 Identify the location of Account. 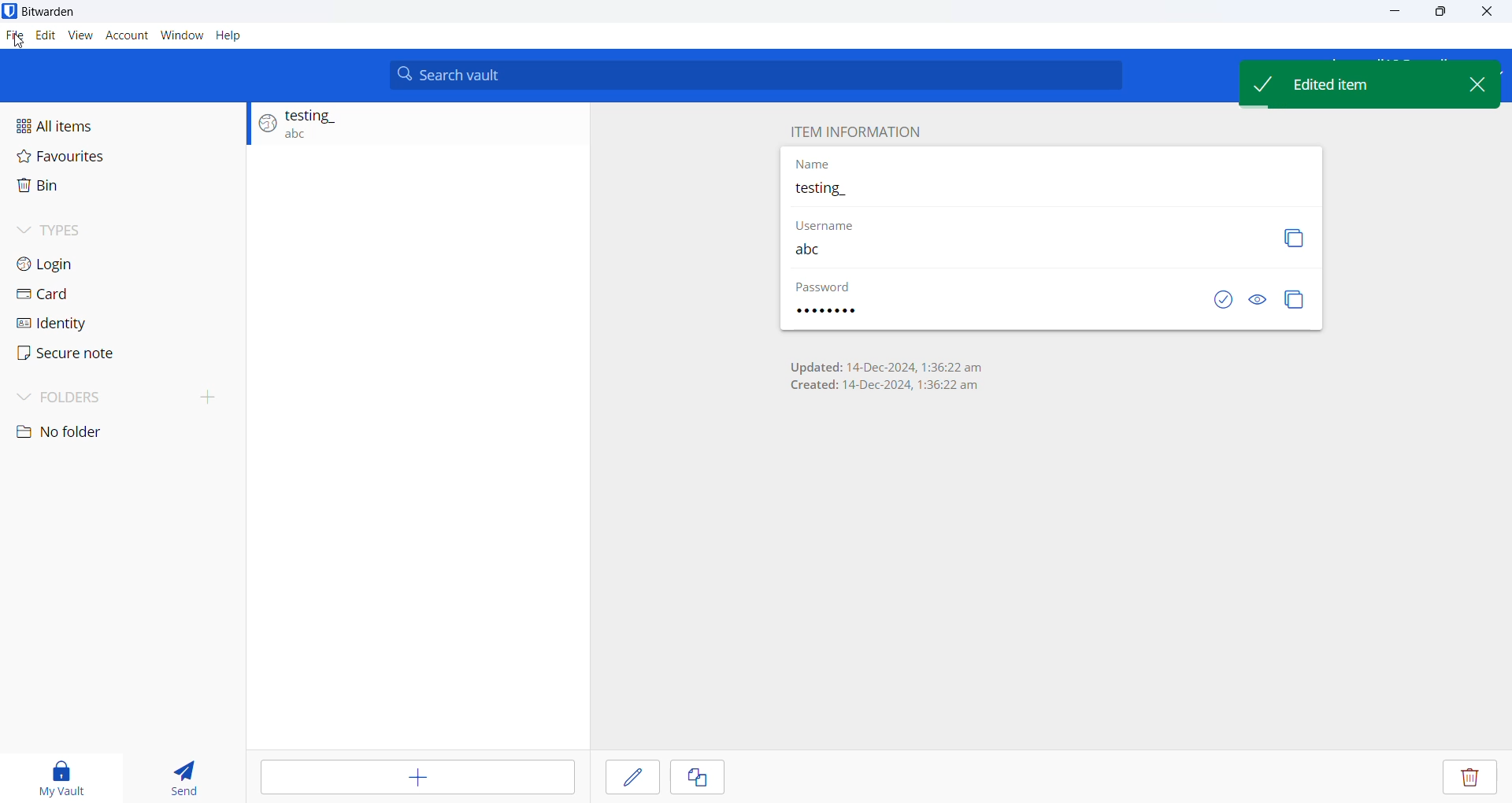
(125, 34).